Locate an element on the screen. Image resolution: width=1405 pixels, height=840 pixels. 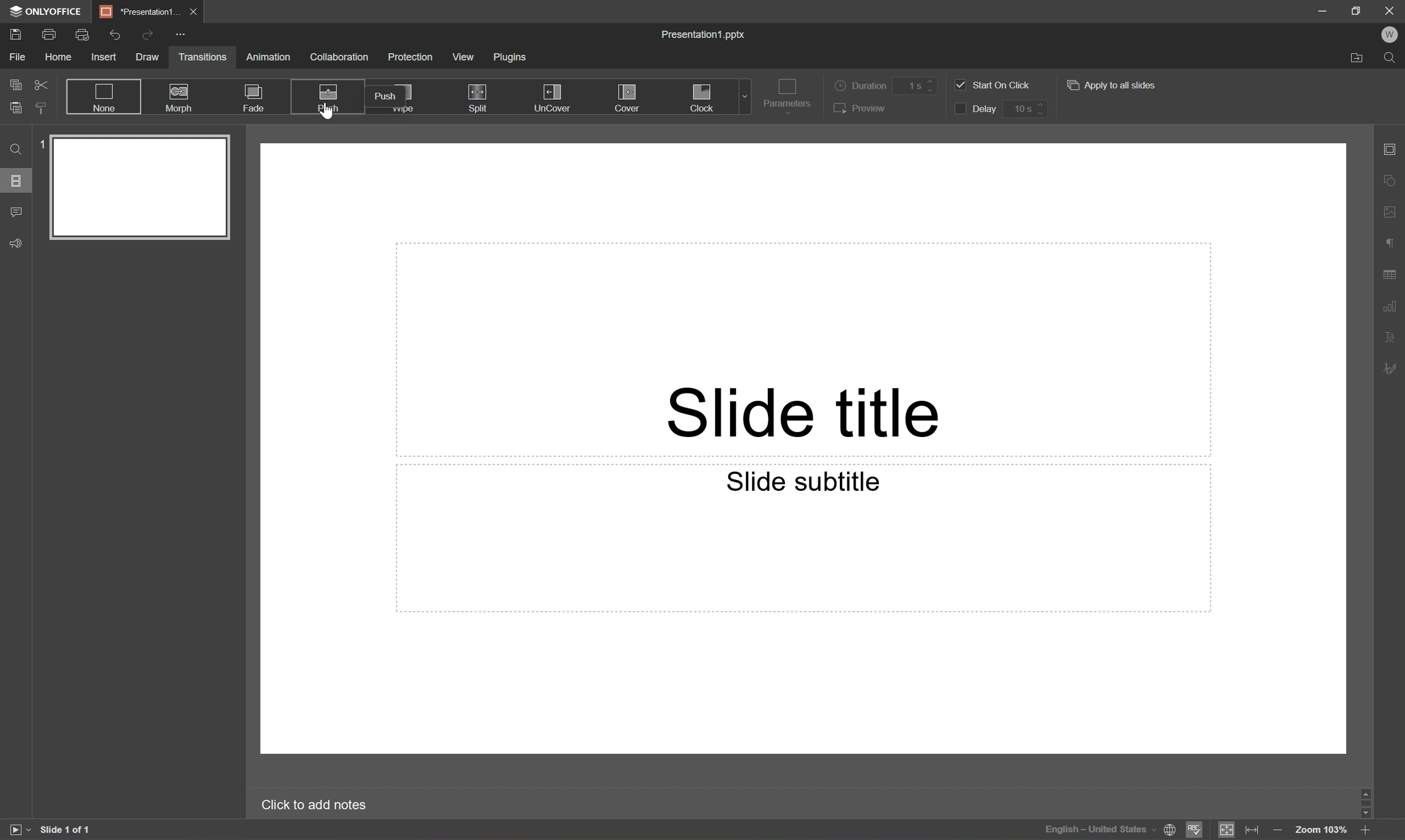
Insert is located at coordinates (106, 55).